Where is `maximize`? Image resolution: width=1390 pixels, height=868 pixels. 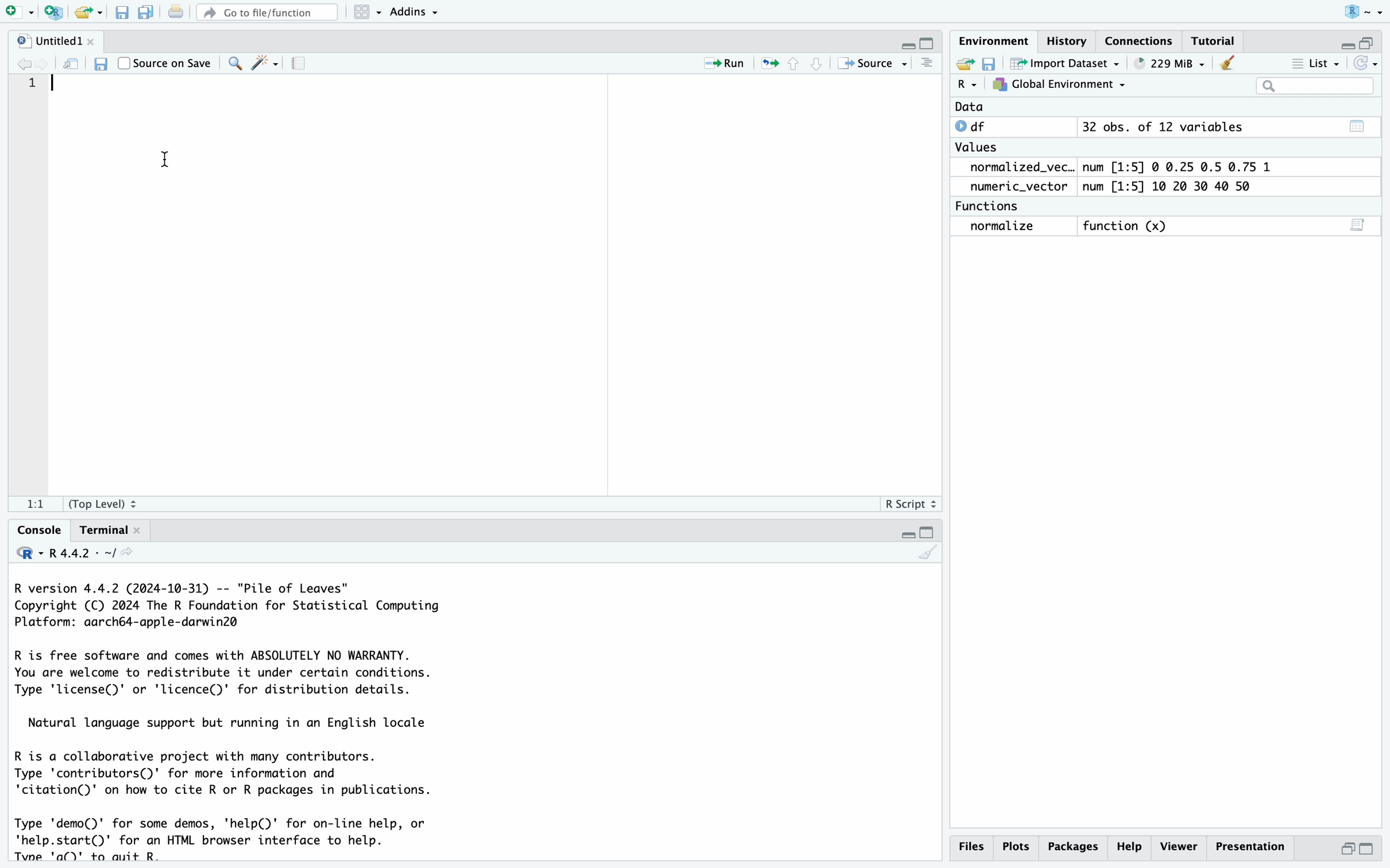
maximize is located at coordinates (1368, 849).